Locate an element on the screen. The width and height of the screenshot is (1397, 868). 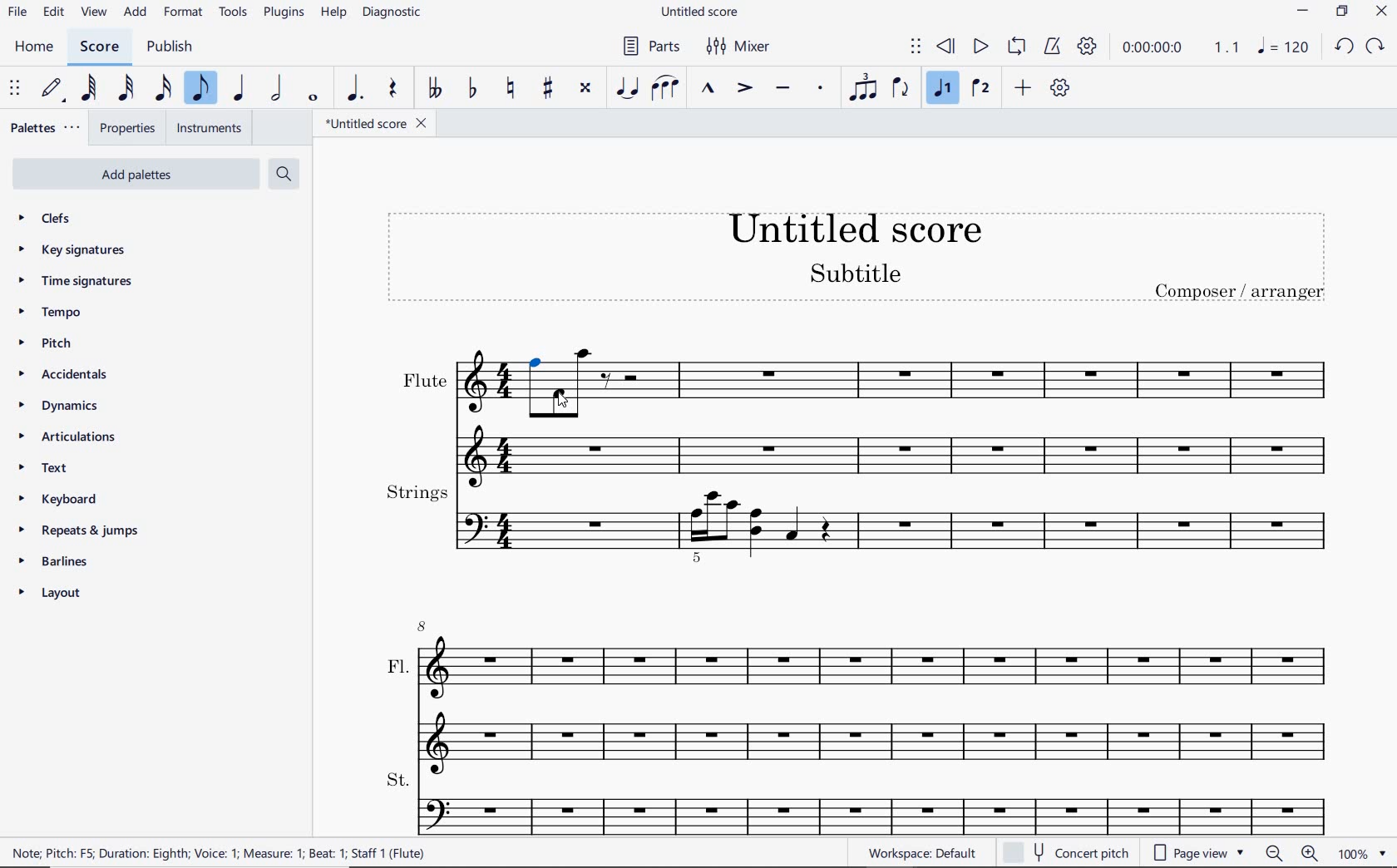
concert pitch is located at coordinates (1068, 851).